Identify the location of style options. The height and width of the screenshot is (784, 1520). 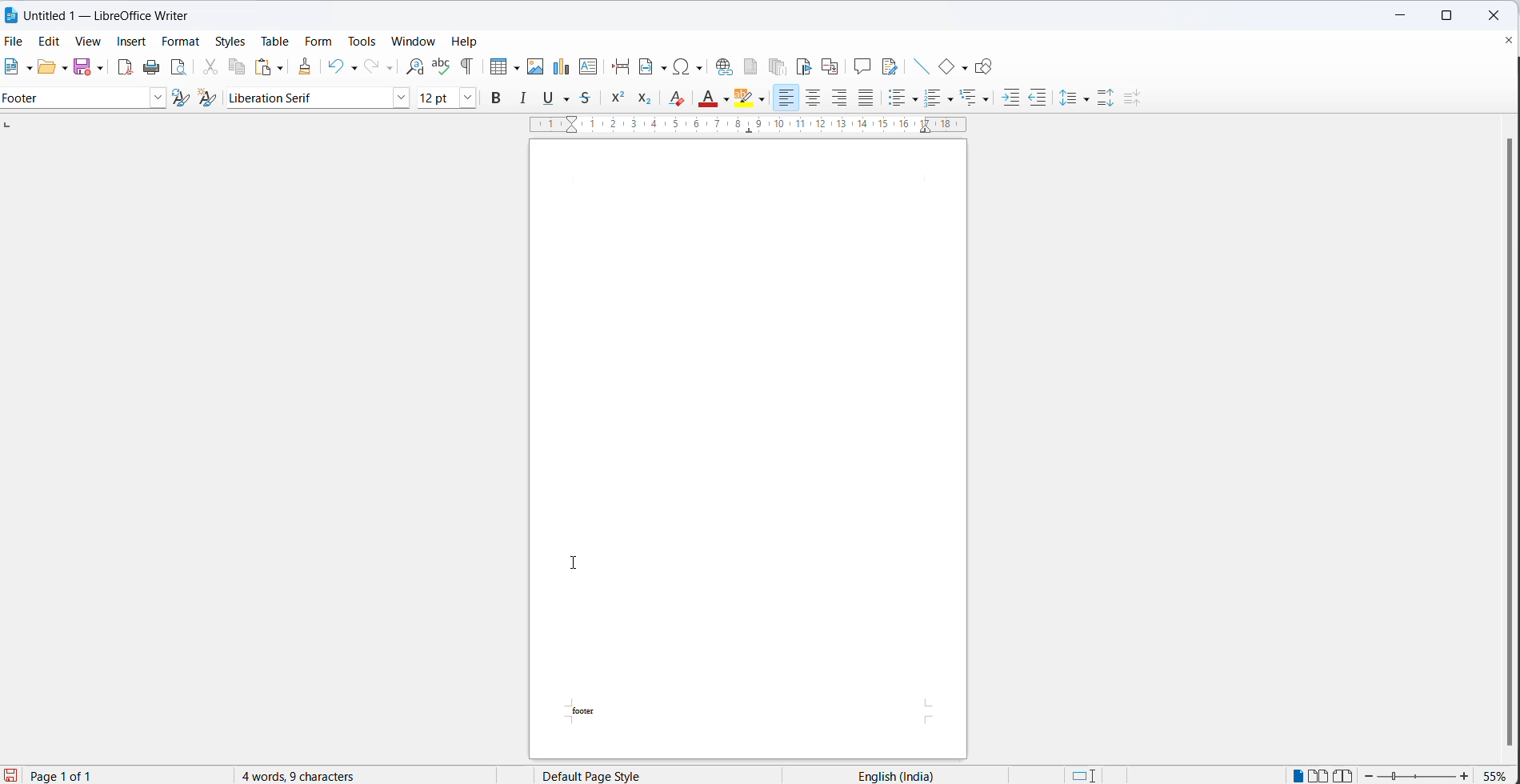
(158, 99).